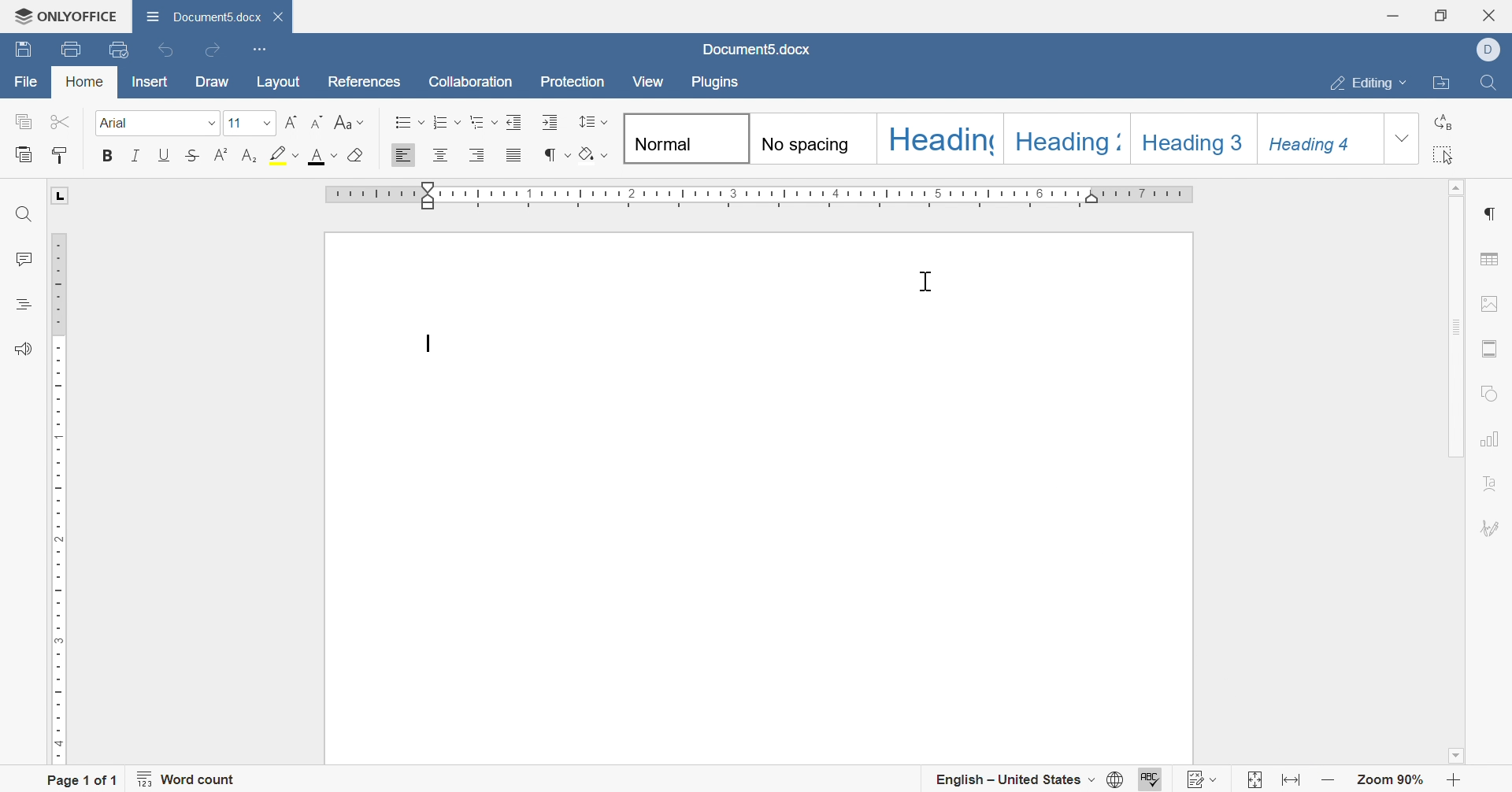  I want to click on image settings, so click(1490, 305).